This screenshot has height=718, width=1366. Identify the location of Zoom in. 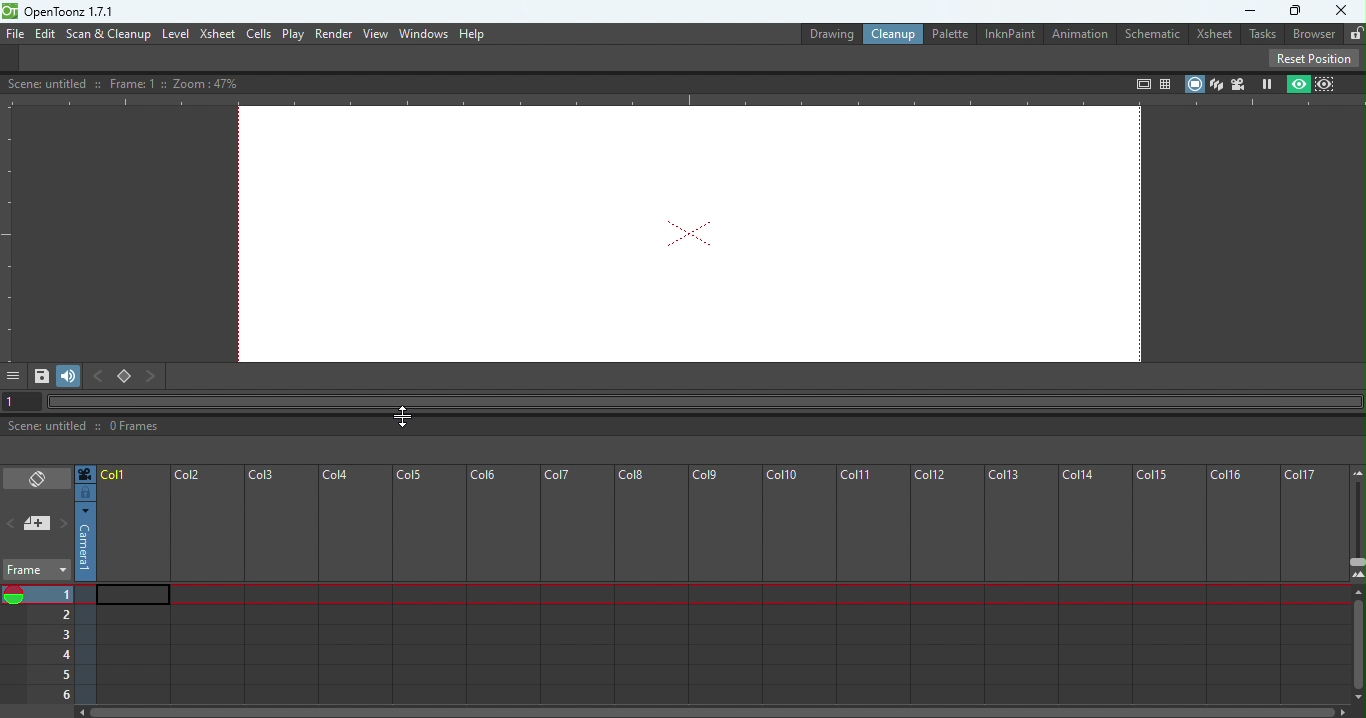
(1357, 572).